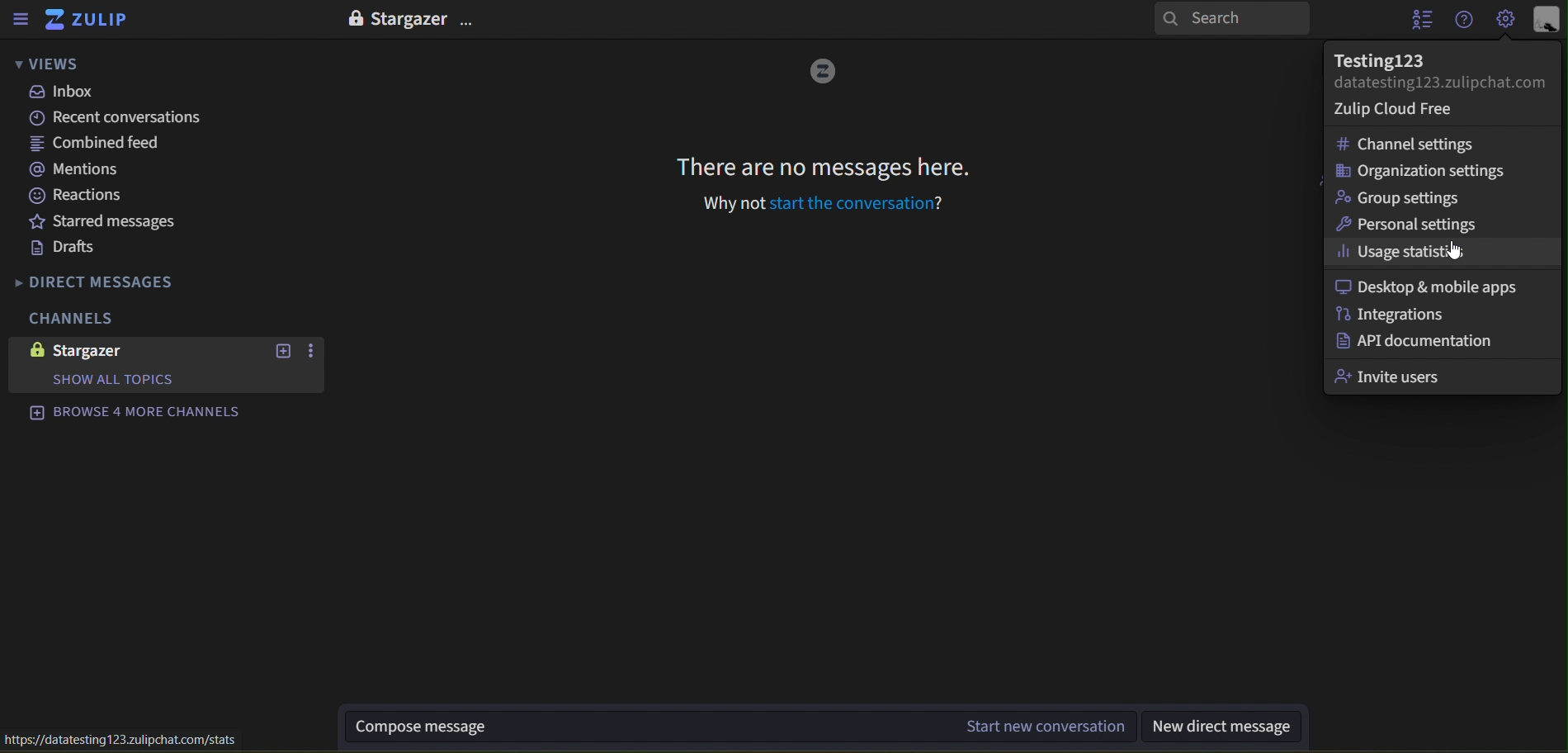 Image resolution: width=1568 pixels, height=753 pixels. What do you see at coordinates (1395, 198) in the screenshot?
I see `group settings` at bounding box center [1395, 198].